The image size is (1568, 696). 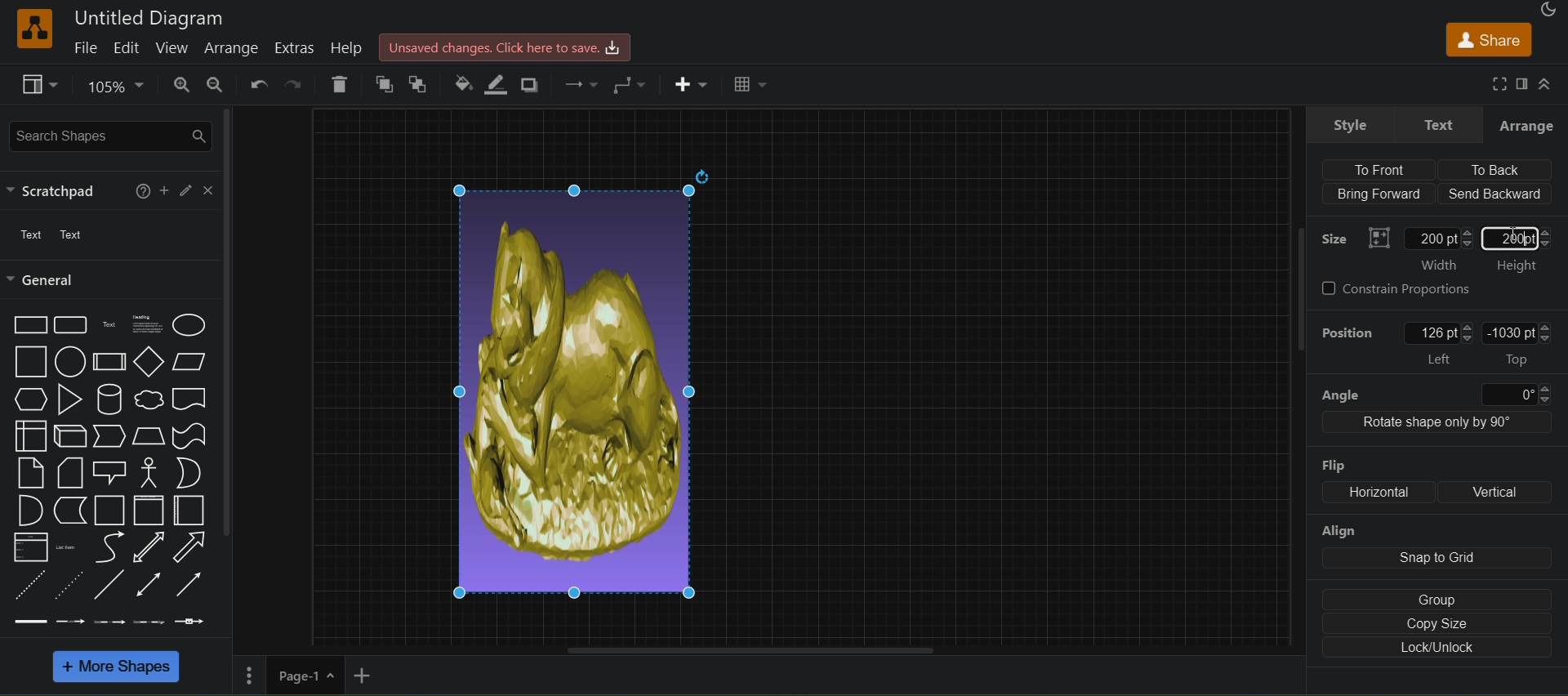 What do you see at coordinates (1388, 168) in the screenshot?
I see `align to front` at bounding box center [1388, 168].